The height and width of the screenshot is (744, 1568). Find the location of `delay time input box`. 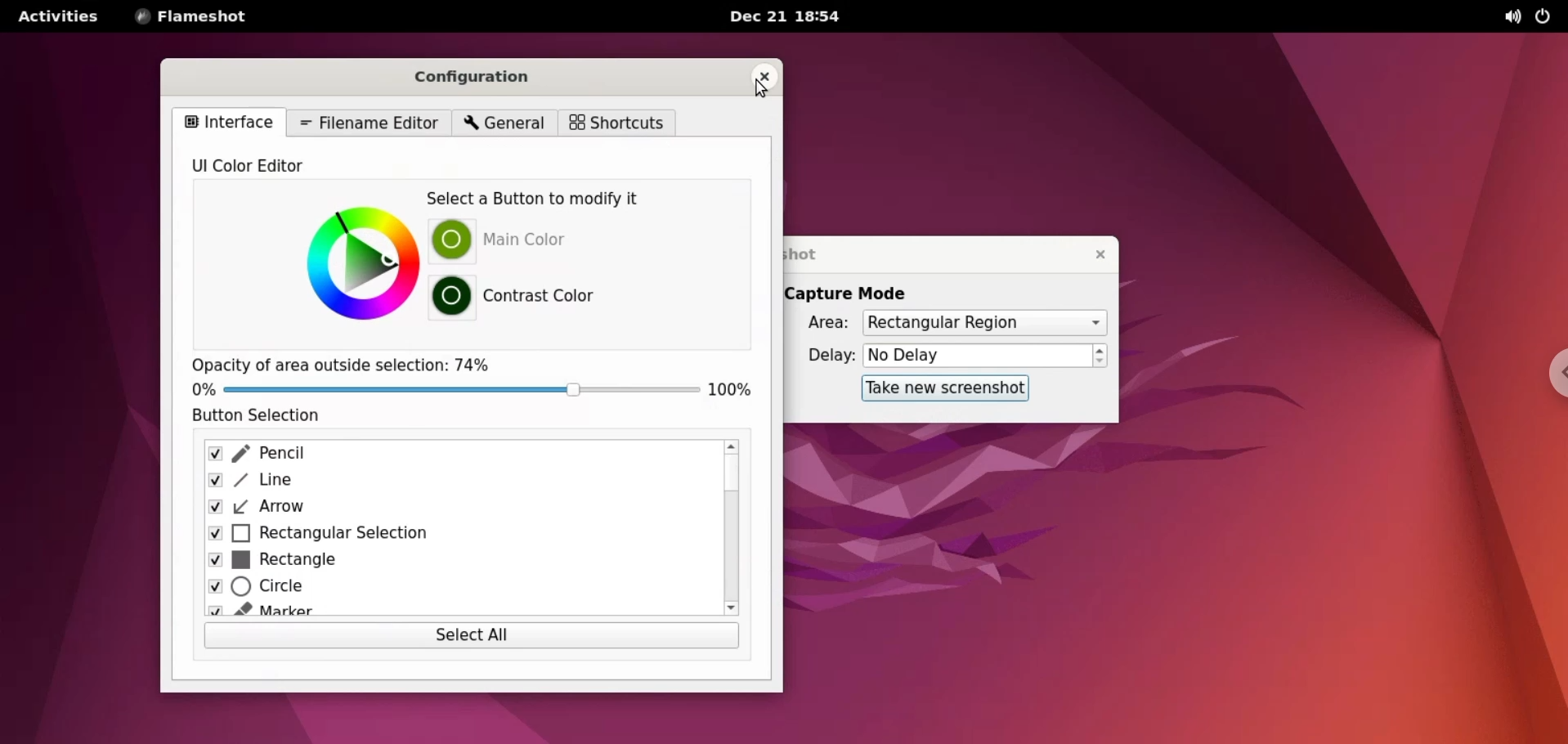

delay time input box is located at coordinates (979, 356).